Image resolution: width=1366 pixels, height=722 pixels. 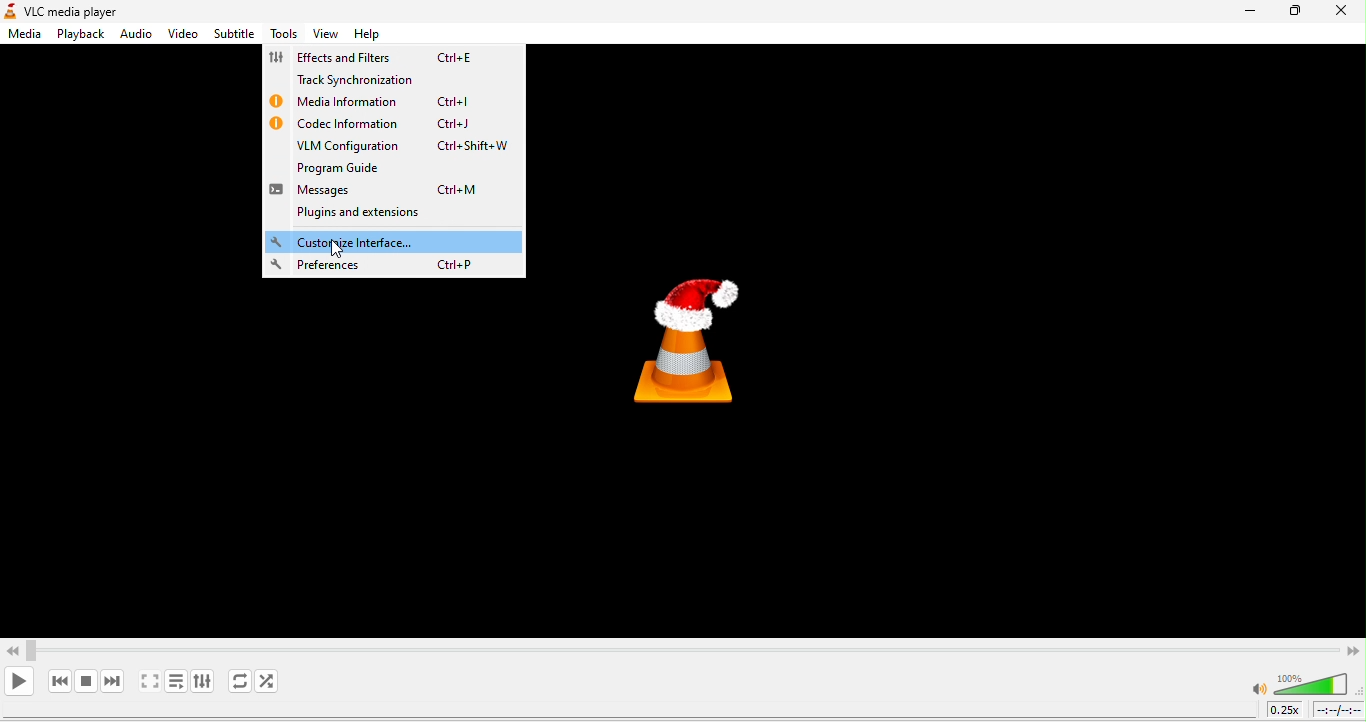 What do you see at coordinates (233, 33) in the screenshot?
I see `subtitle` at bounding box center [233, 33].